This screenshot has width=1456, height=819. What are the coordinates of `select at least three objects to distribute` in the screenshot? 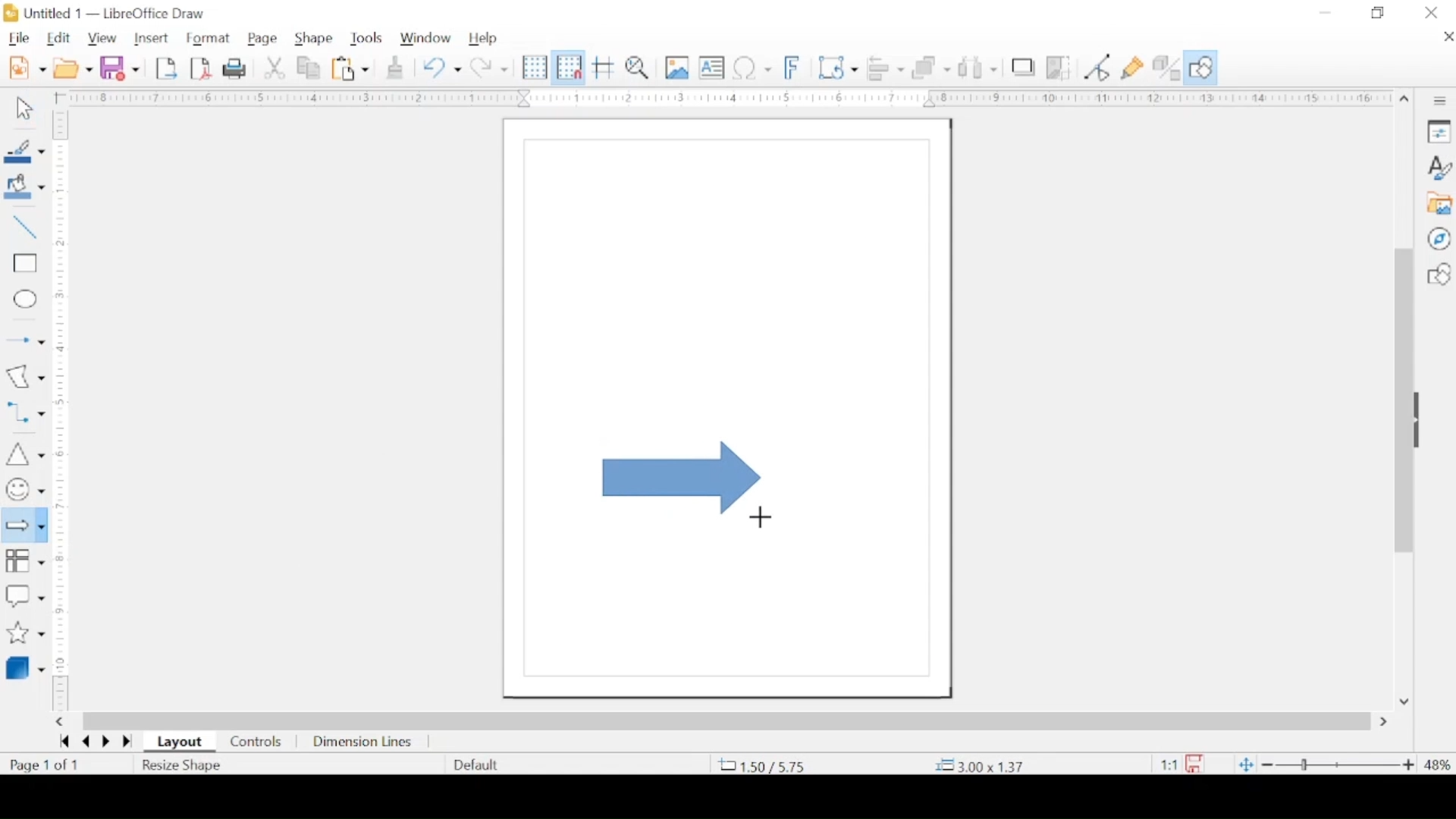 It's located at (979, 67).